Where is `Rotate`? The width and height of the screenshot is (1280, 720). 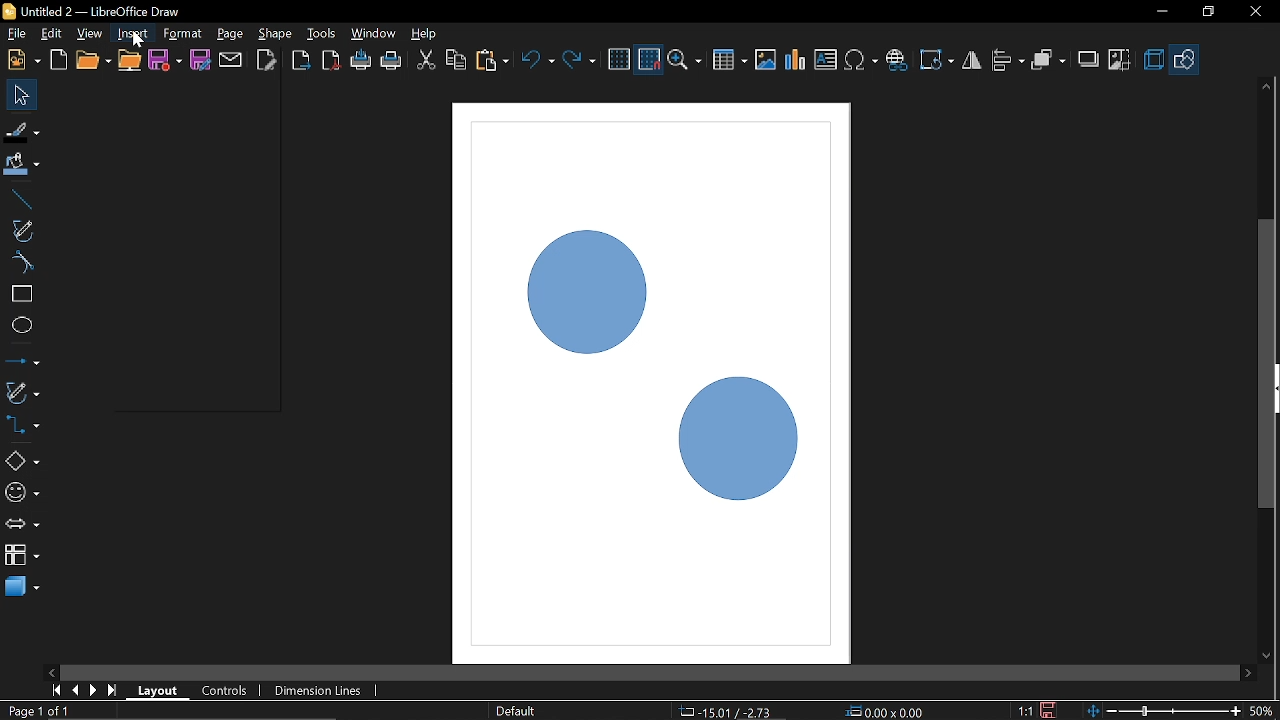
Rotate is located at coordinates (938, 60).